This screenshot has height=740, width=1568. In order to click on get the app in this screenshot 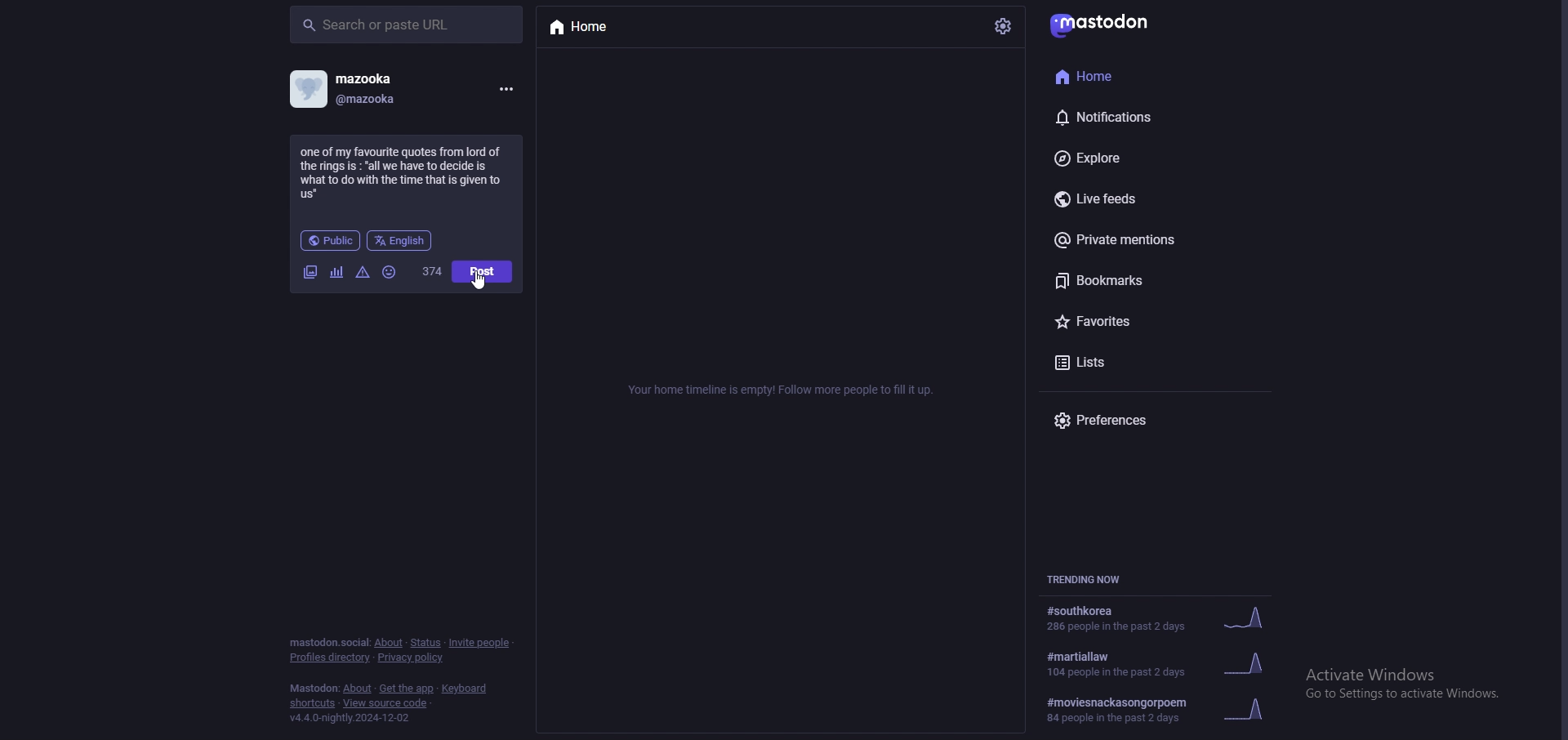, I will do `click(408, 689)`.